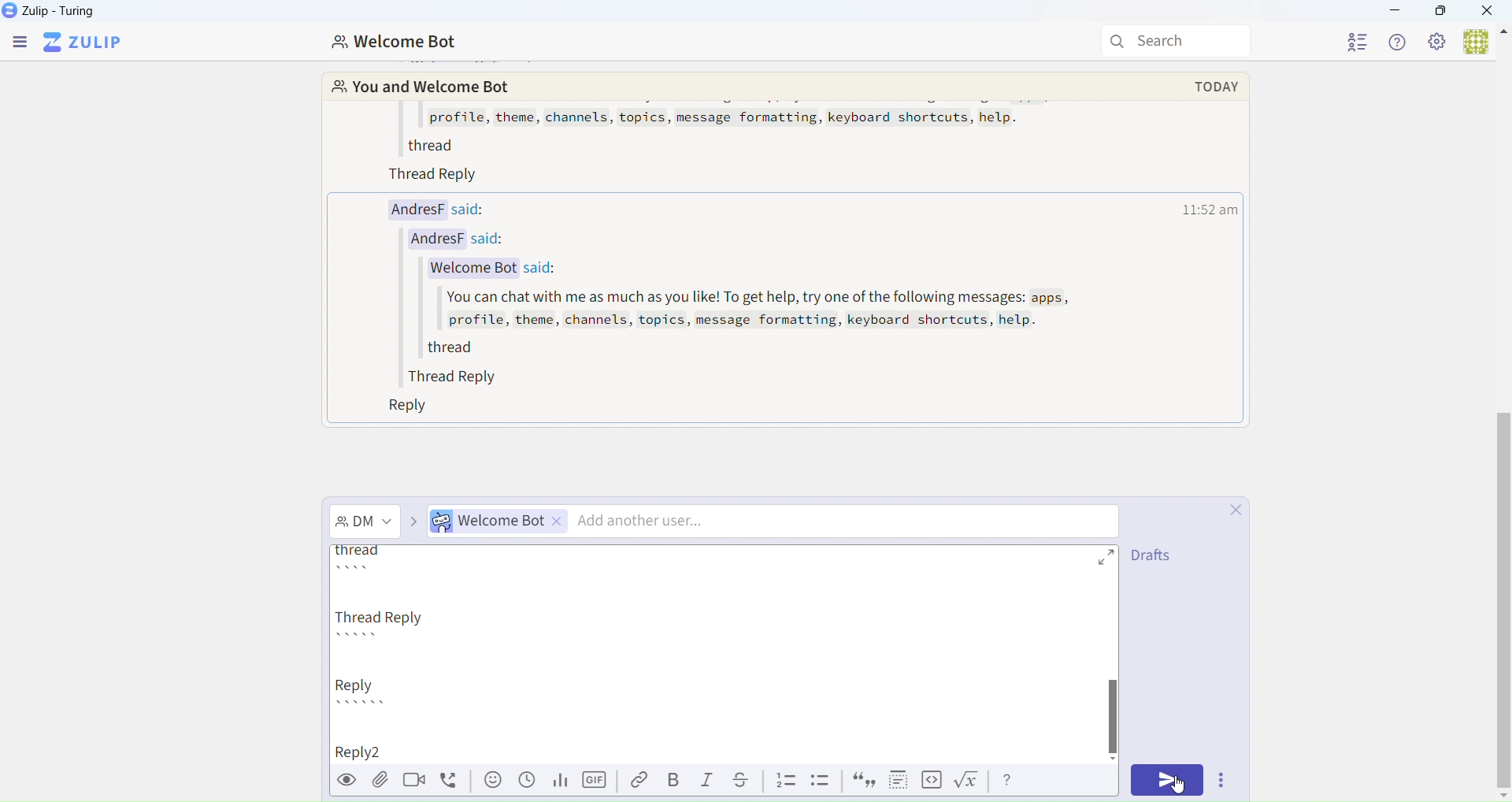  What do you see at coordinates (1217, 85) in the screenshot?
I see `today` at bounding box center [1217, 85].